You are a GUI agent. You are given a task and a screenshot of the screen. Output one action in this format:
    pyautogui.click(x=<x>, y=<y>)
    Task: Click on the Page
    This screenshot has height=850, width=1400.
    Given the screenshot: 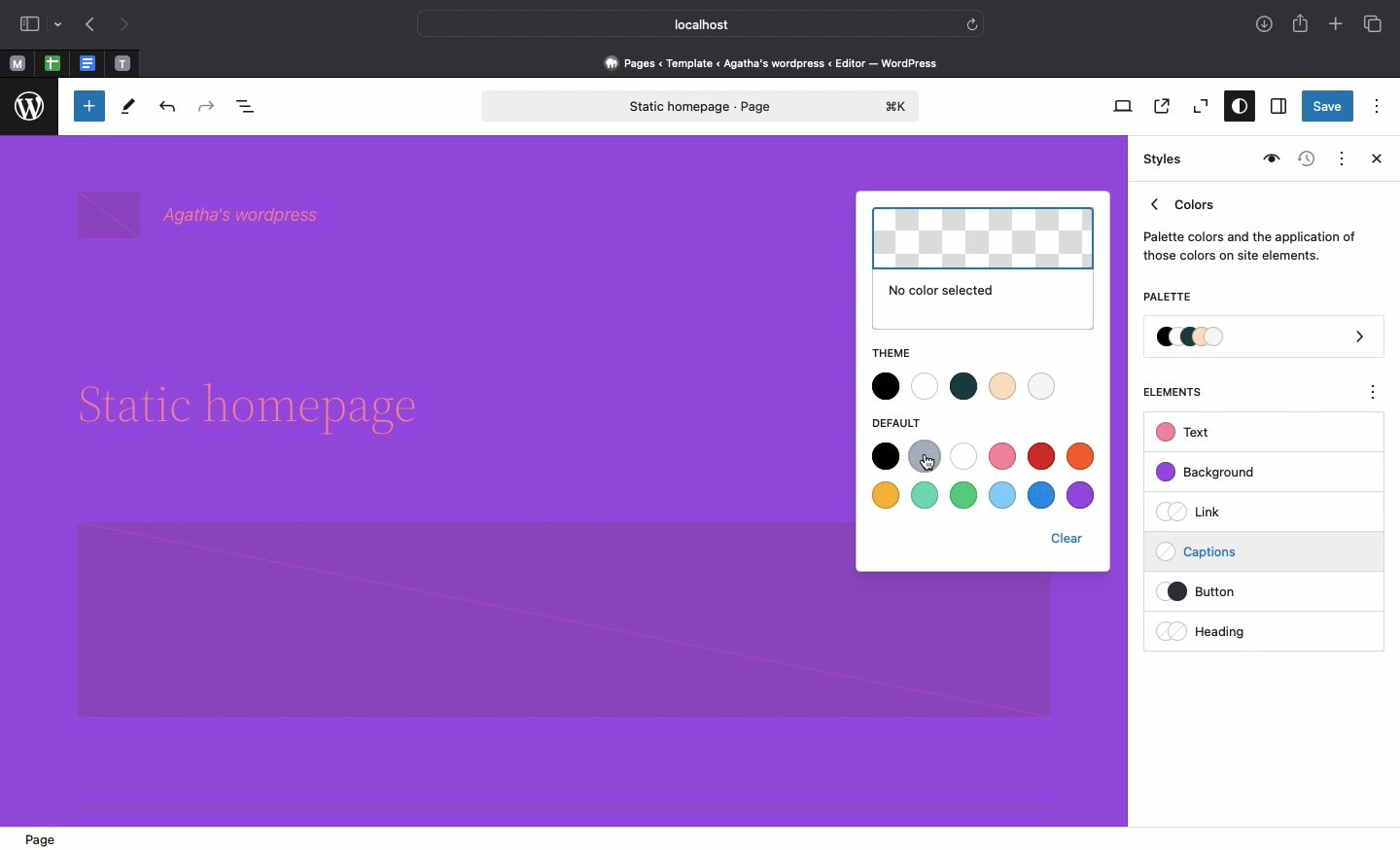 What is the action you would take?
    pyautogui.click(x=44, y=836)
    